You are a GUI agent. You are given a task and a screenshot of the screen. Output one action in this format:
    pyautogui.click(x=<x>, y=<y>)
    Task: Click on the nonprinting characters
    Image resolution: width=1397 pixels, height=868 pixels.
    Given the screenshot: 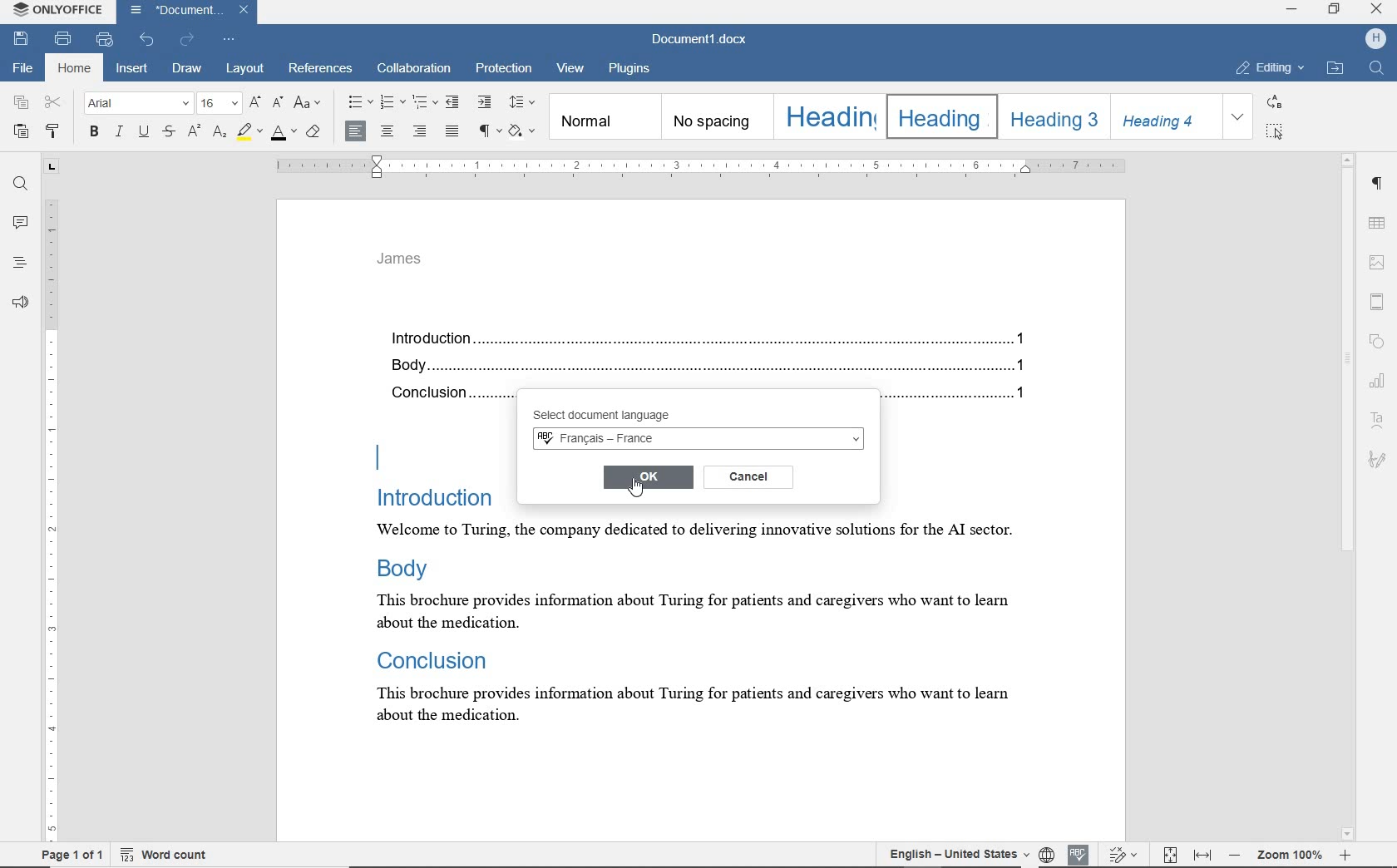 What is the action you would take?
    pyautogui.click(x=488, y=130)
    